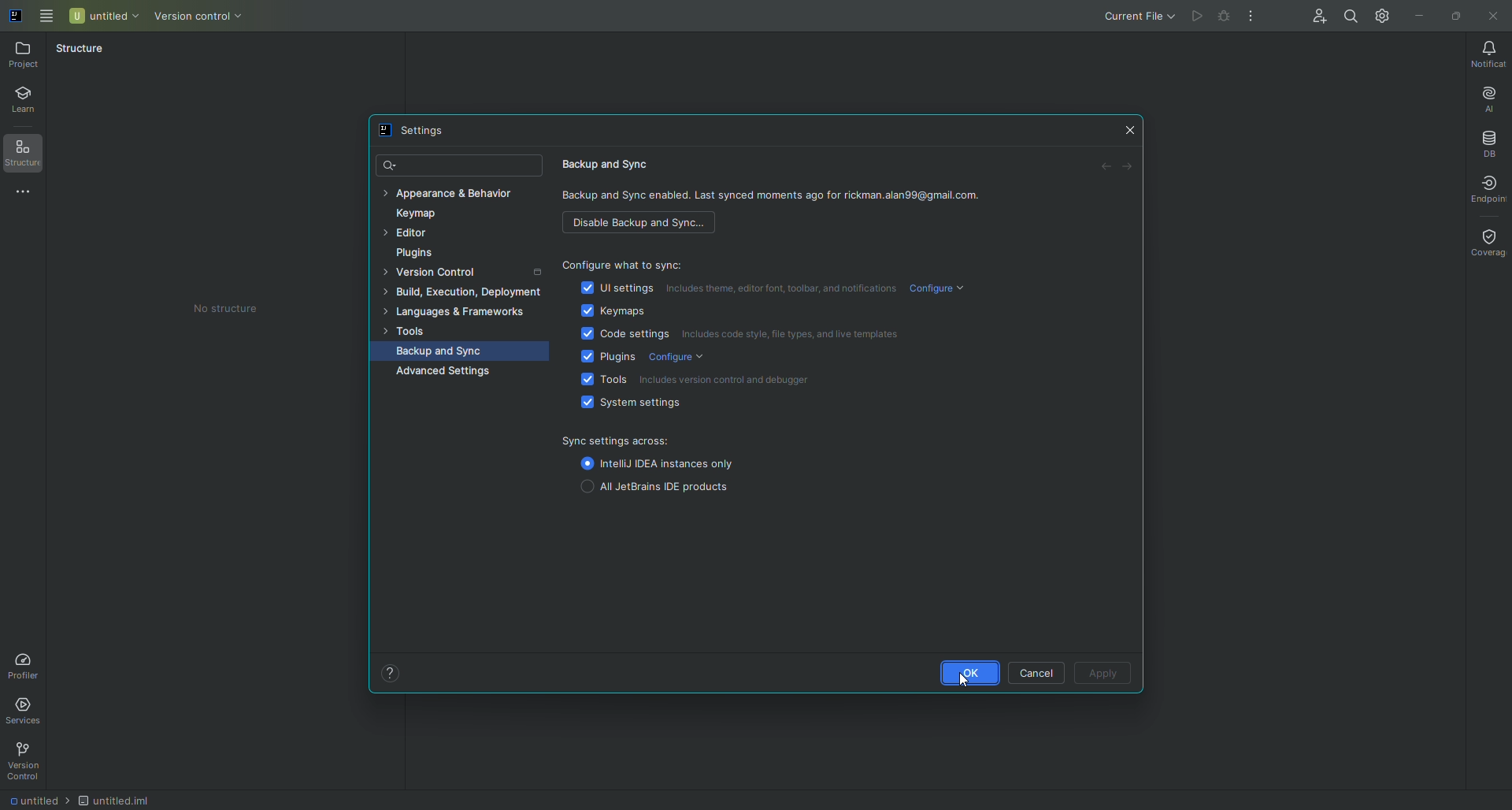 This screenshot has height=810, width=1512. I want to click on Settings, so click(416, 132).